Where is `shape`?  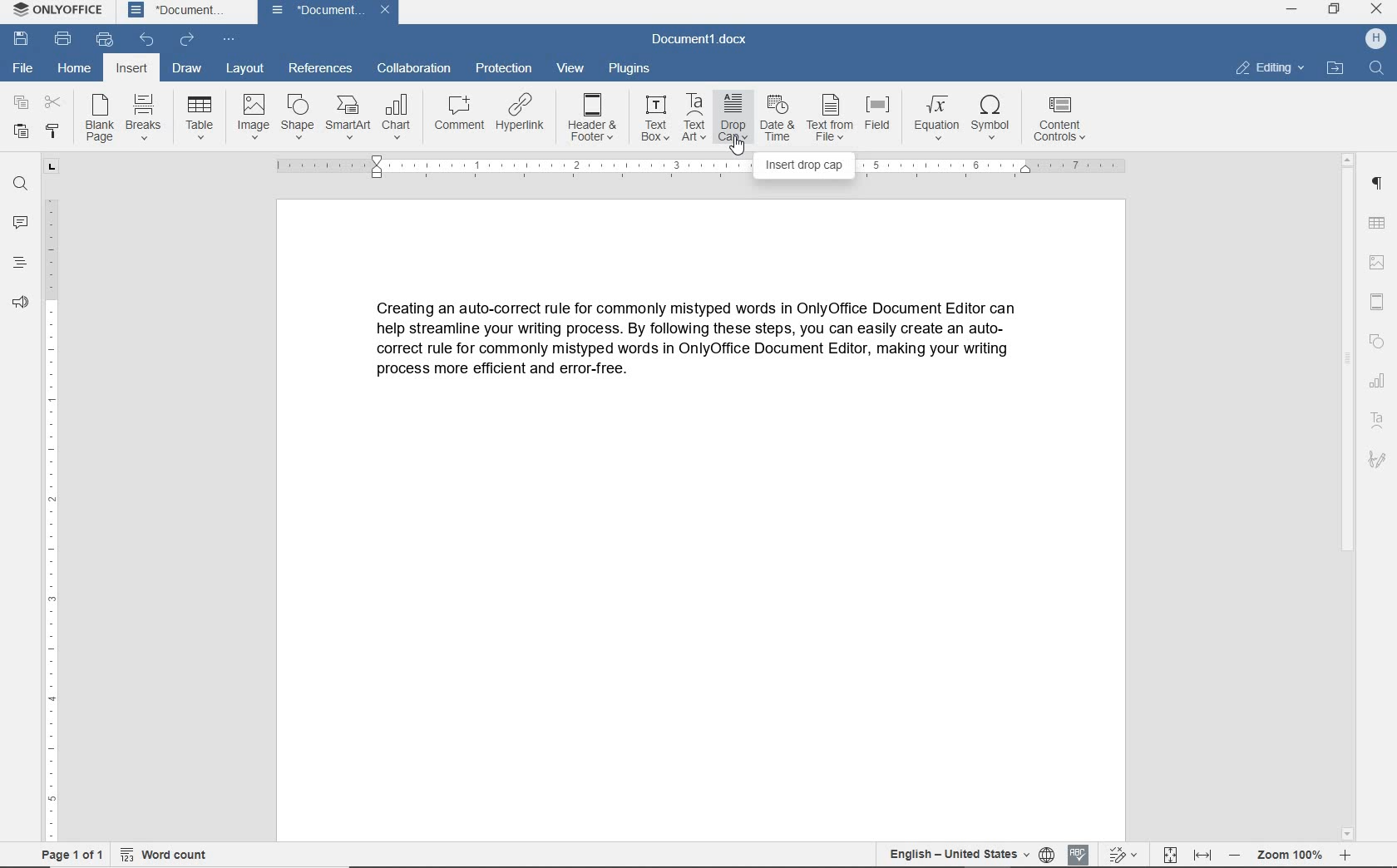
shape is located at coordinates (297, 116).